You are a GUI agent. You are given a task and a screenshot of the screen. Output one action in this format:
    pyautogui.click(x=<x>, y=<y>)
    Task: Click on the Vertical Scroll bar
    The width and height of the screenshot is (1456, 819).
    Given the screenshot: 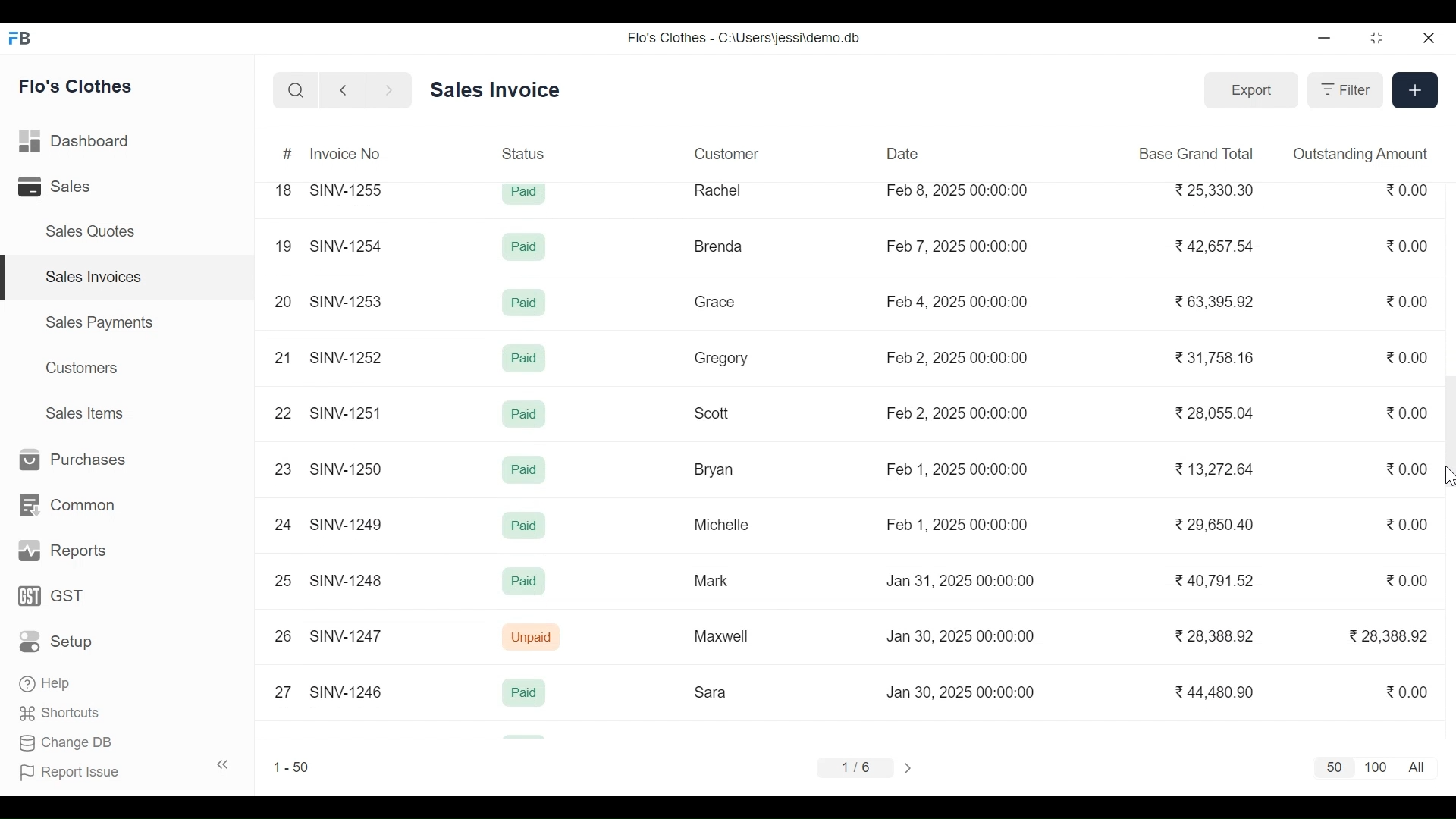 What is the action you would take?
    pyautogui.click(x=1447, y=428)
    